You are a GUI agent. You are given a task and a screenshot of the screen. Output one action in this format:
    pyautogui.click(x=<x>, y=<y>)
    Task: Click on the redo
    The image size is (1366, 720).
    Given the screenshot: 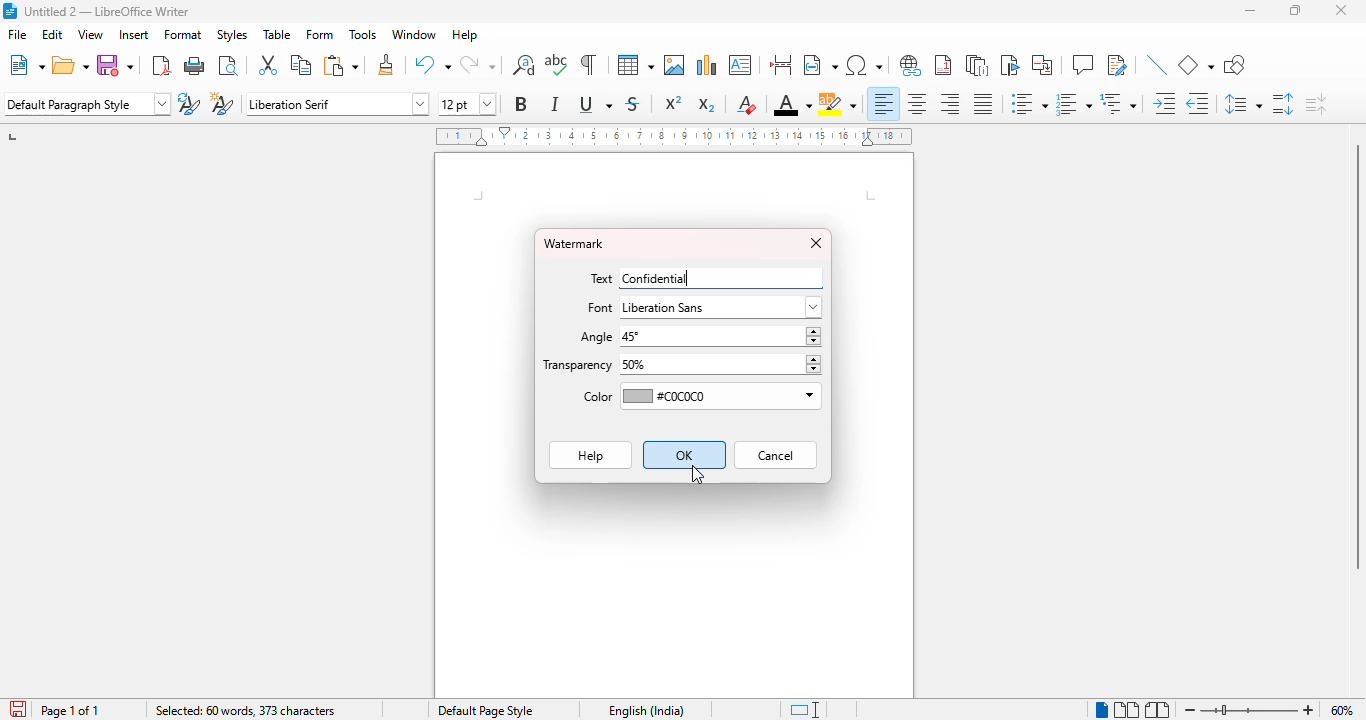 What is the action you would take?
    pyautogui.click(x=477, y=65)
    